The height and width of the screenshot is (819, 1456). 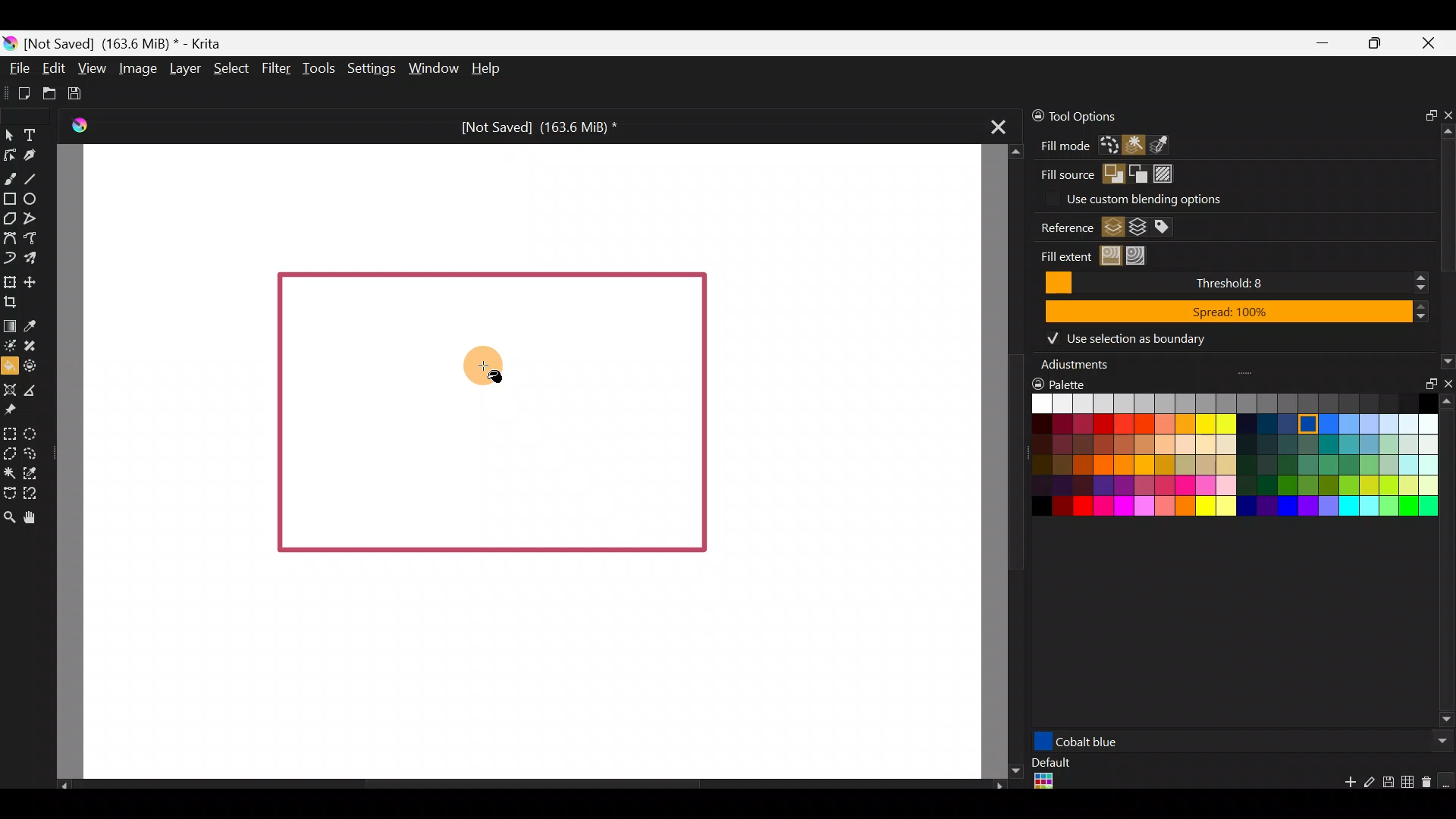 What do you see at coordinates (91, 66) in the screenshot?
I see `View` at bounding box center [91, 66].